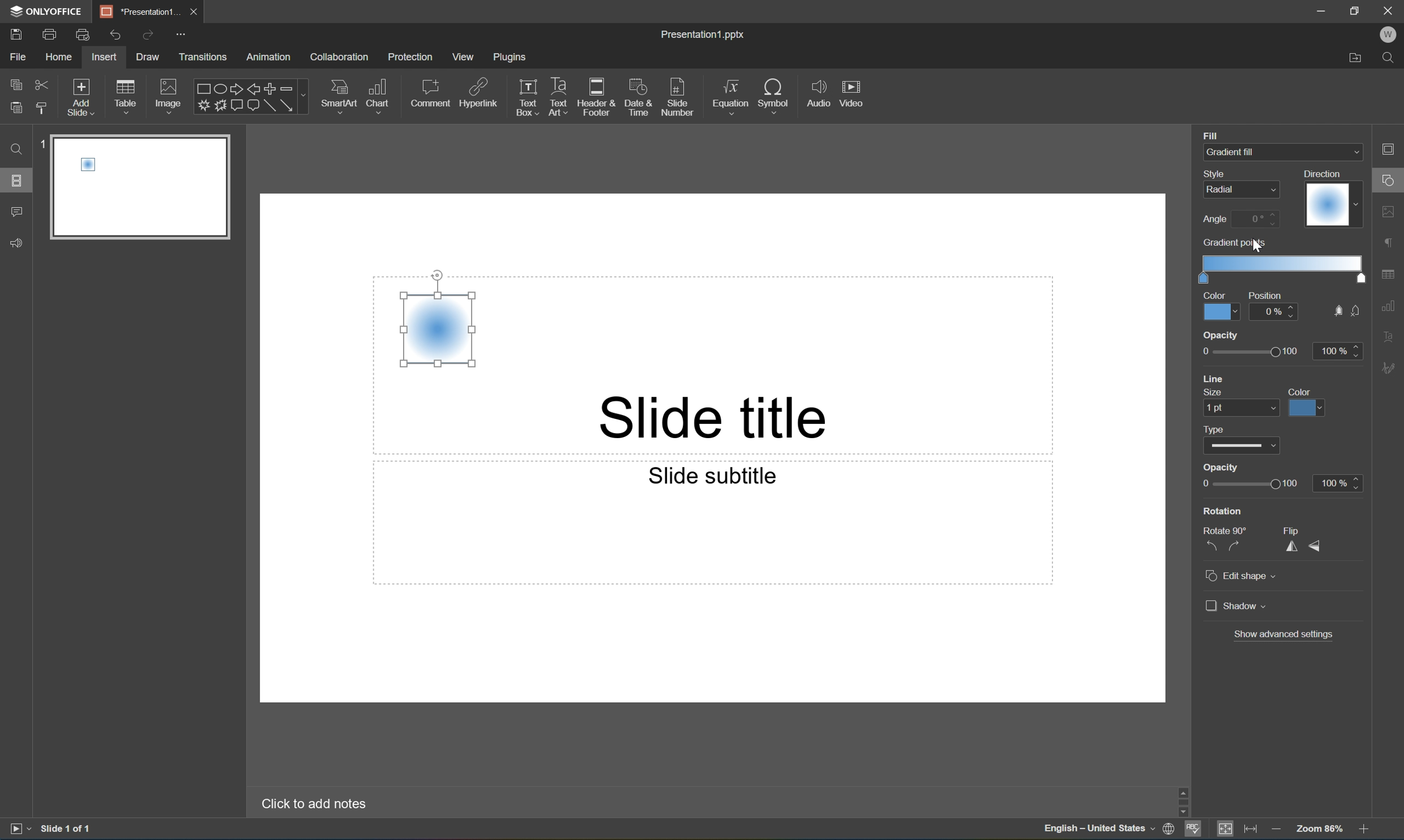 The width and height of the screenshot is (1404, 840). Describe the element at coordinates (203, 58) in the screenshot. I see `Transitions` at that location.